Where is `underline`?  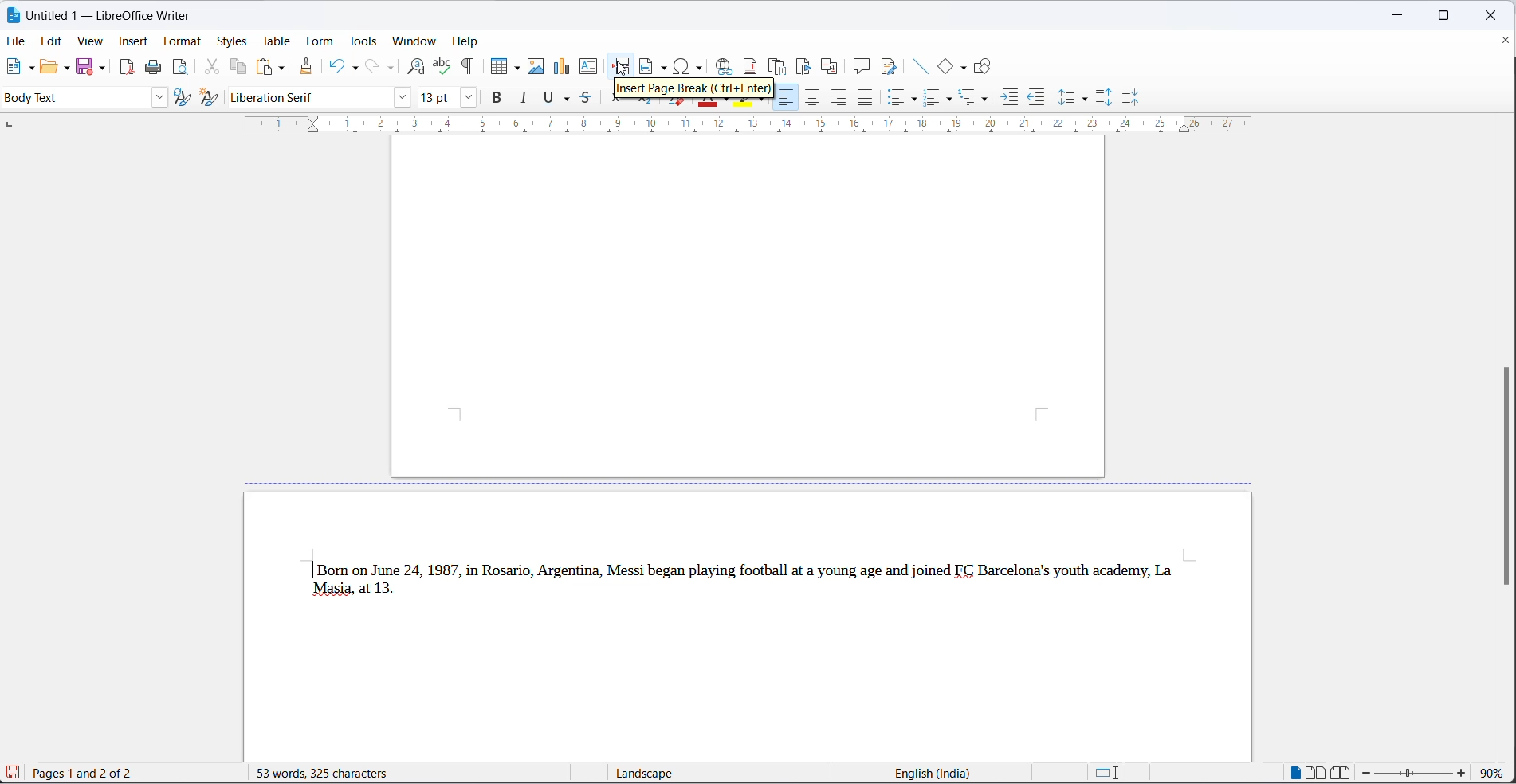 underline is located at coordinates (549, 99).